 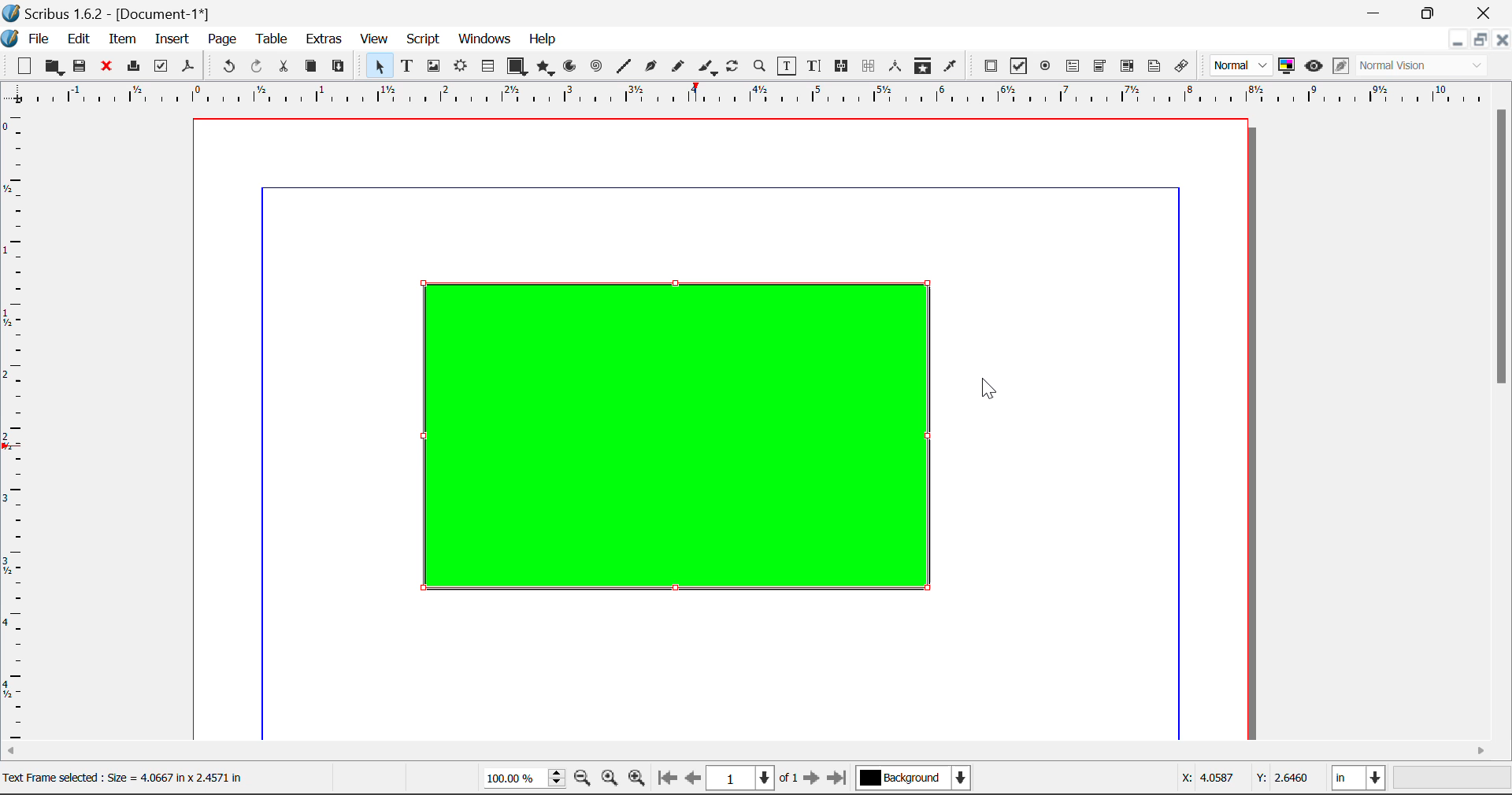 I want to click on Minimize, so click(x=1431, y=12).